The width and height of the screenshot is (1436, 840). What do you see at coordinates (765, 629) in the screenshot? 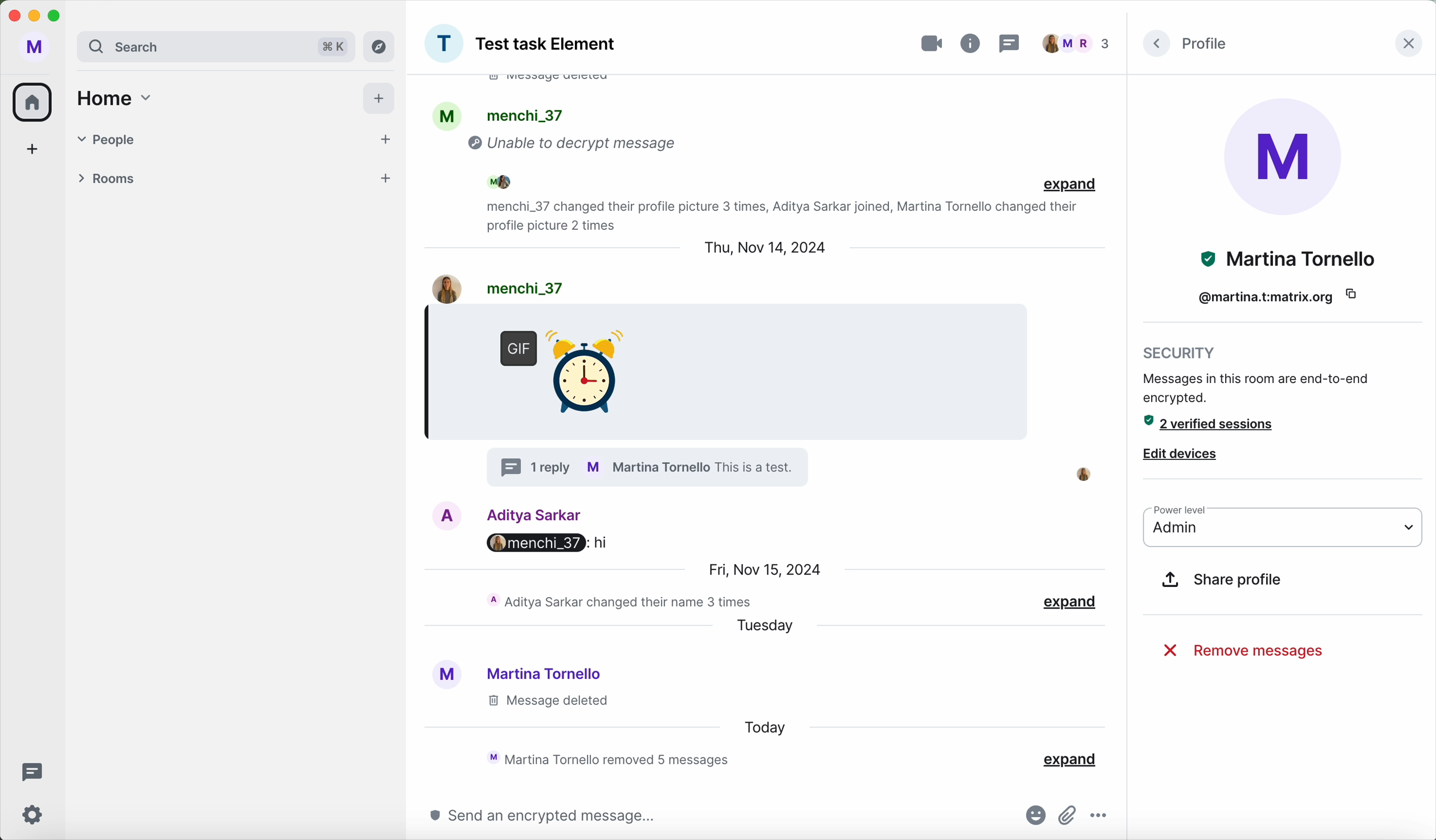
I see `tuesday` at bounding box center [765, 629].